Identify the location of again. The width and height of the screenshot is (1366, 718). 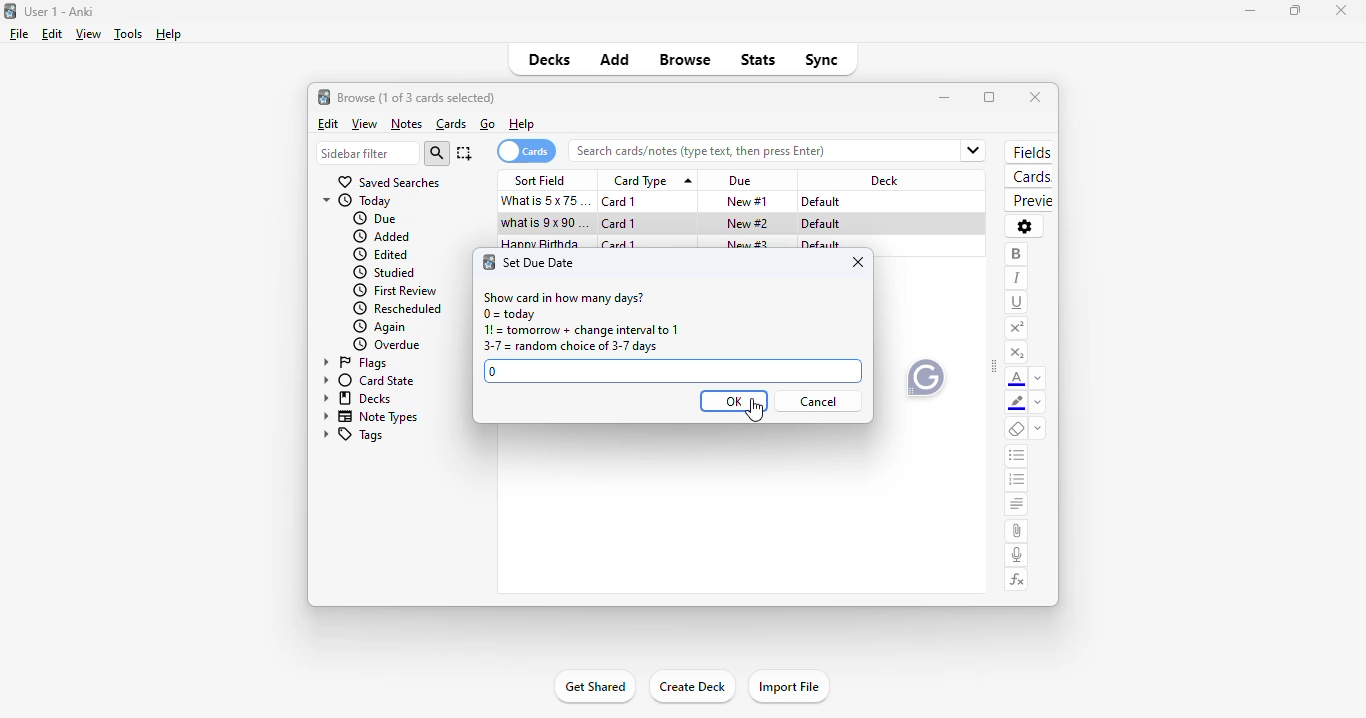
(379, 327).